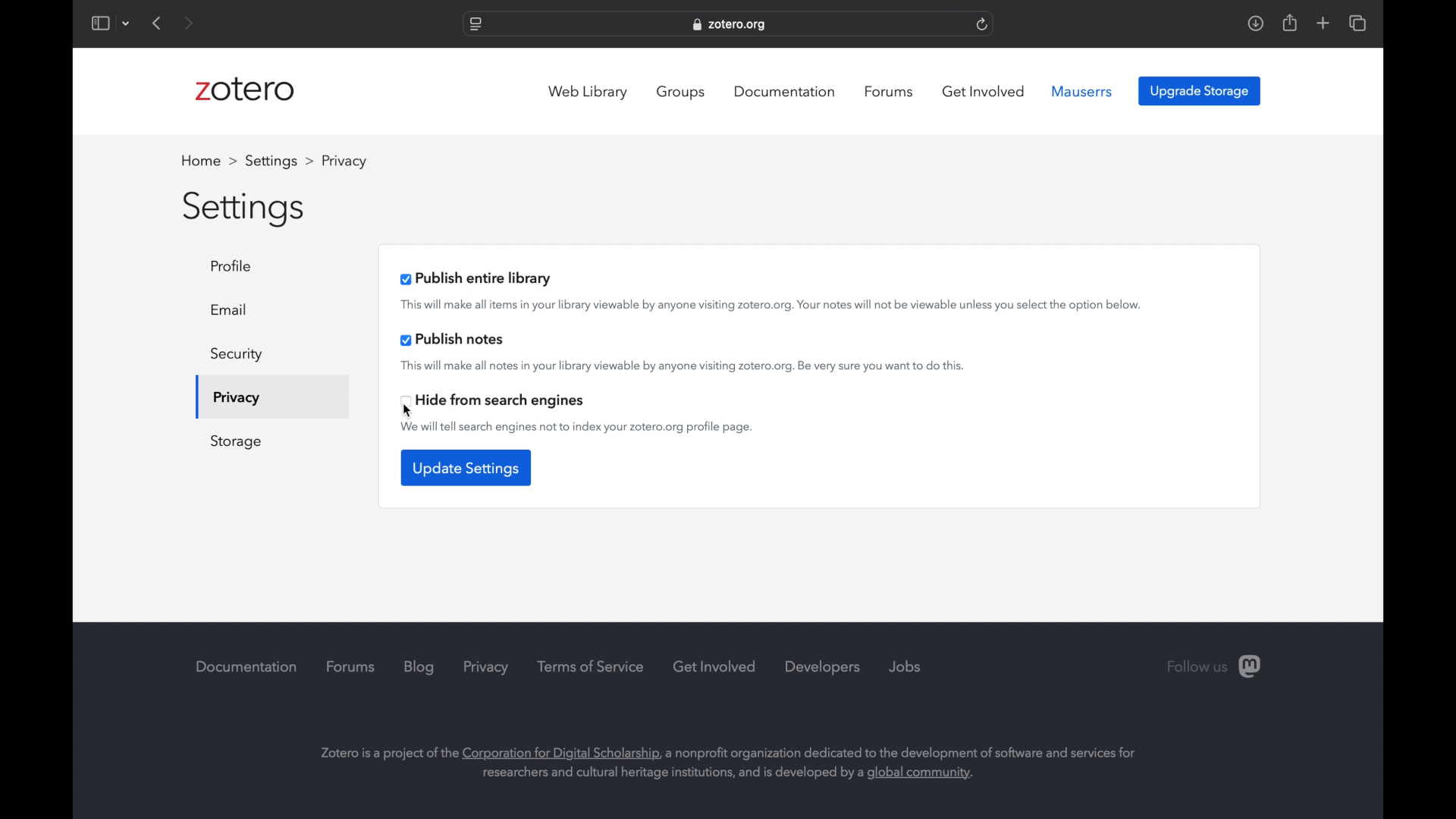  I want to click on storage, so click(237, 442).